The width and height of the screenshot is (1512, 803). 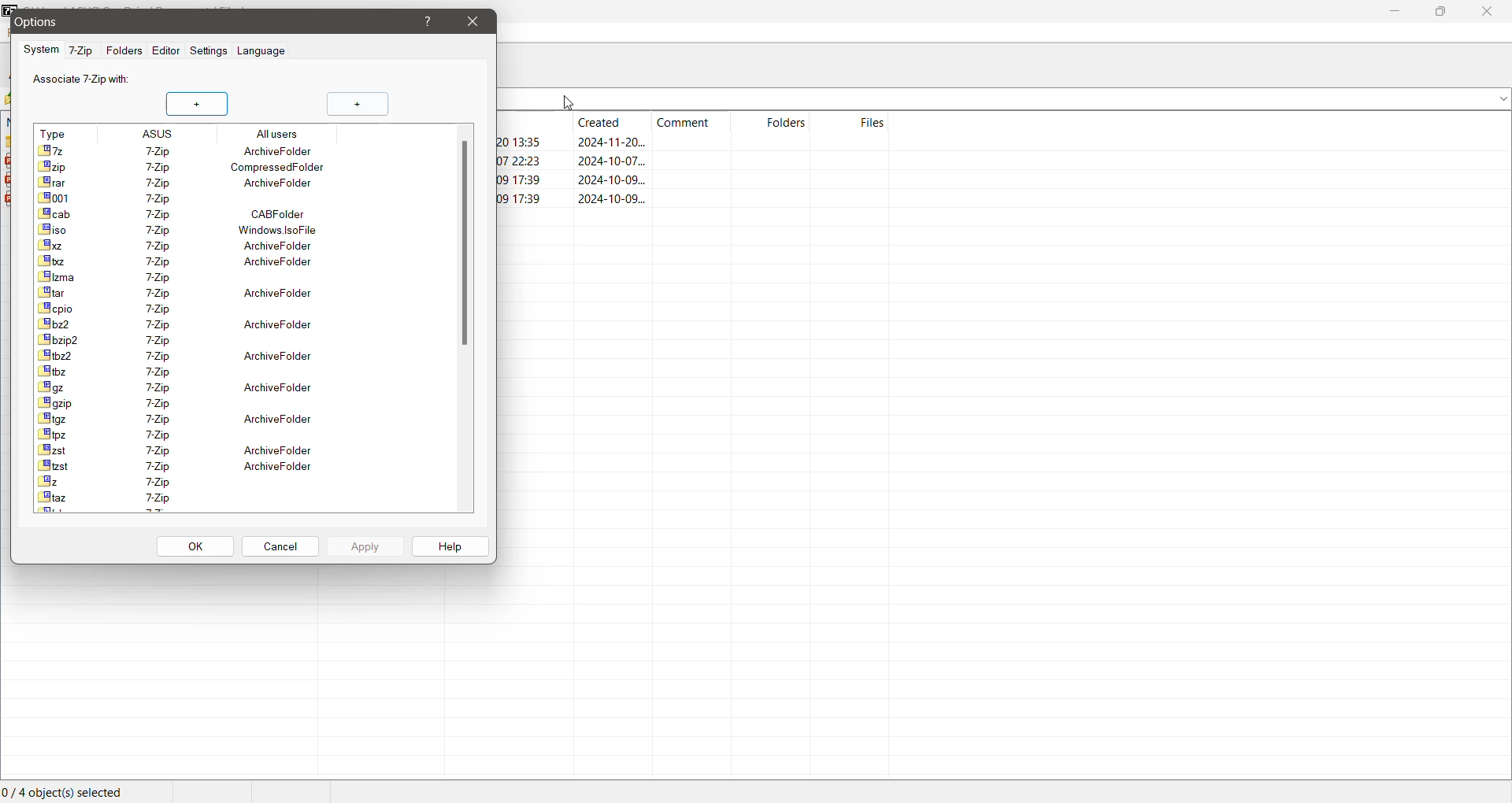 What do you see at coordinates (569, 181) in the screenshot?
I see `09 17:39 2024-10-09...` at bounding box center [569, 181].